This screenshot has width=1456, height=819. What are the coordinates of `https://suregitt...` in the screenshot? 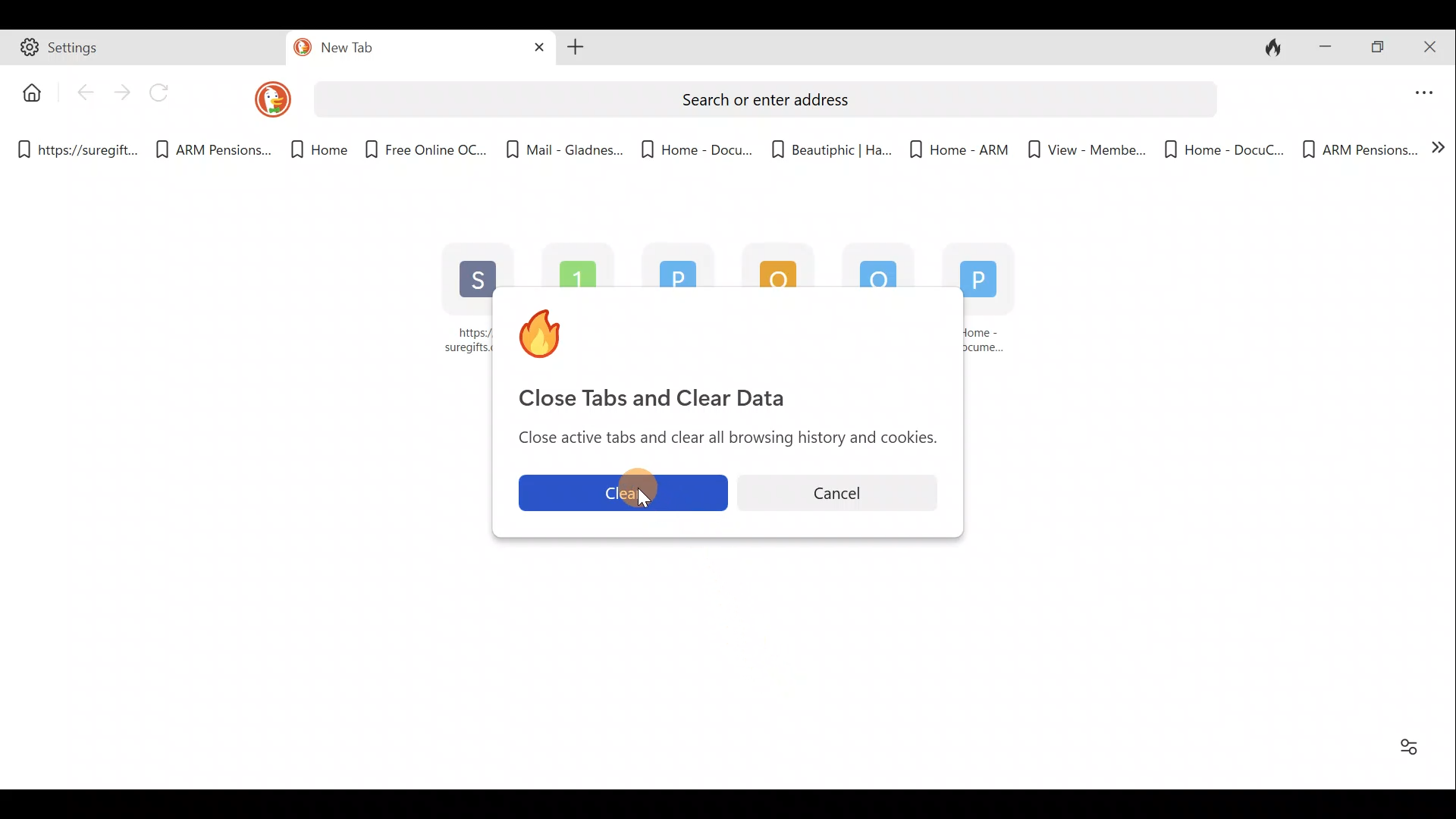 It's located at (80, 147).